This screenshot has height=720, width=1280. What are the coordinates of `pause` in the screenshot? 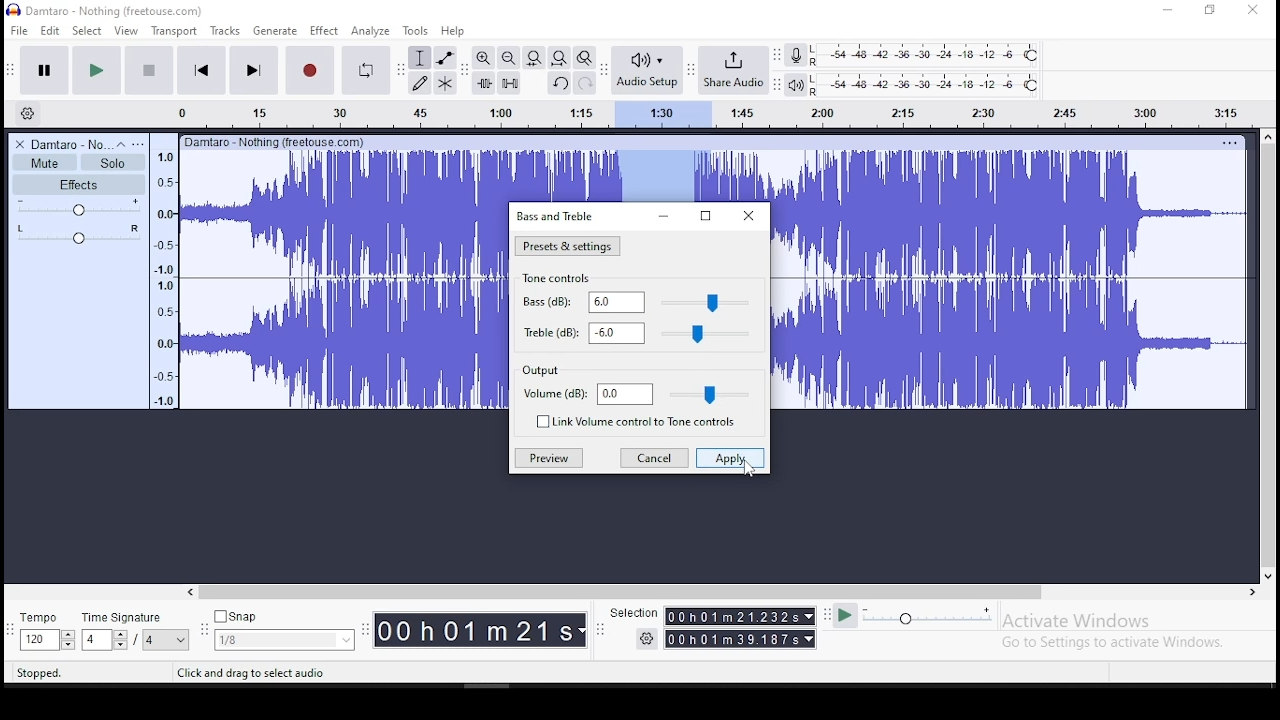 It's located at (46, 71).